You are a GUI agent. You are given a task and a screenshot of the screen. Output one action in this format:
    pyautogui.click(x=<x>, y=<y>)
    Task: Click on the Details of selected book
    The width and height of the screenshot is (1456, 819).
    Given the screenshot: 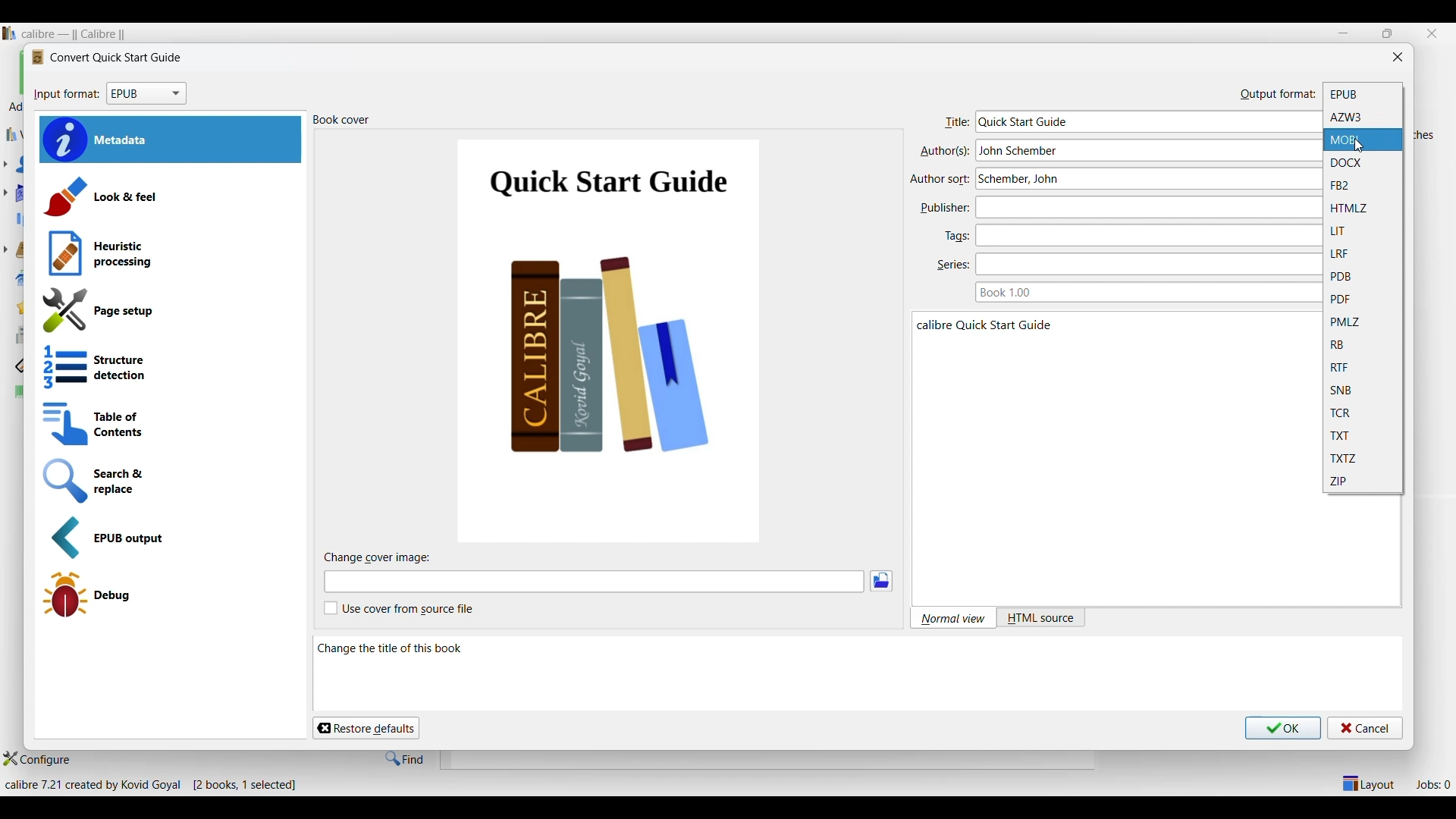 What is the action you would take?
    pyautogui.click(x=1112, y=387)
    